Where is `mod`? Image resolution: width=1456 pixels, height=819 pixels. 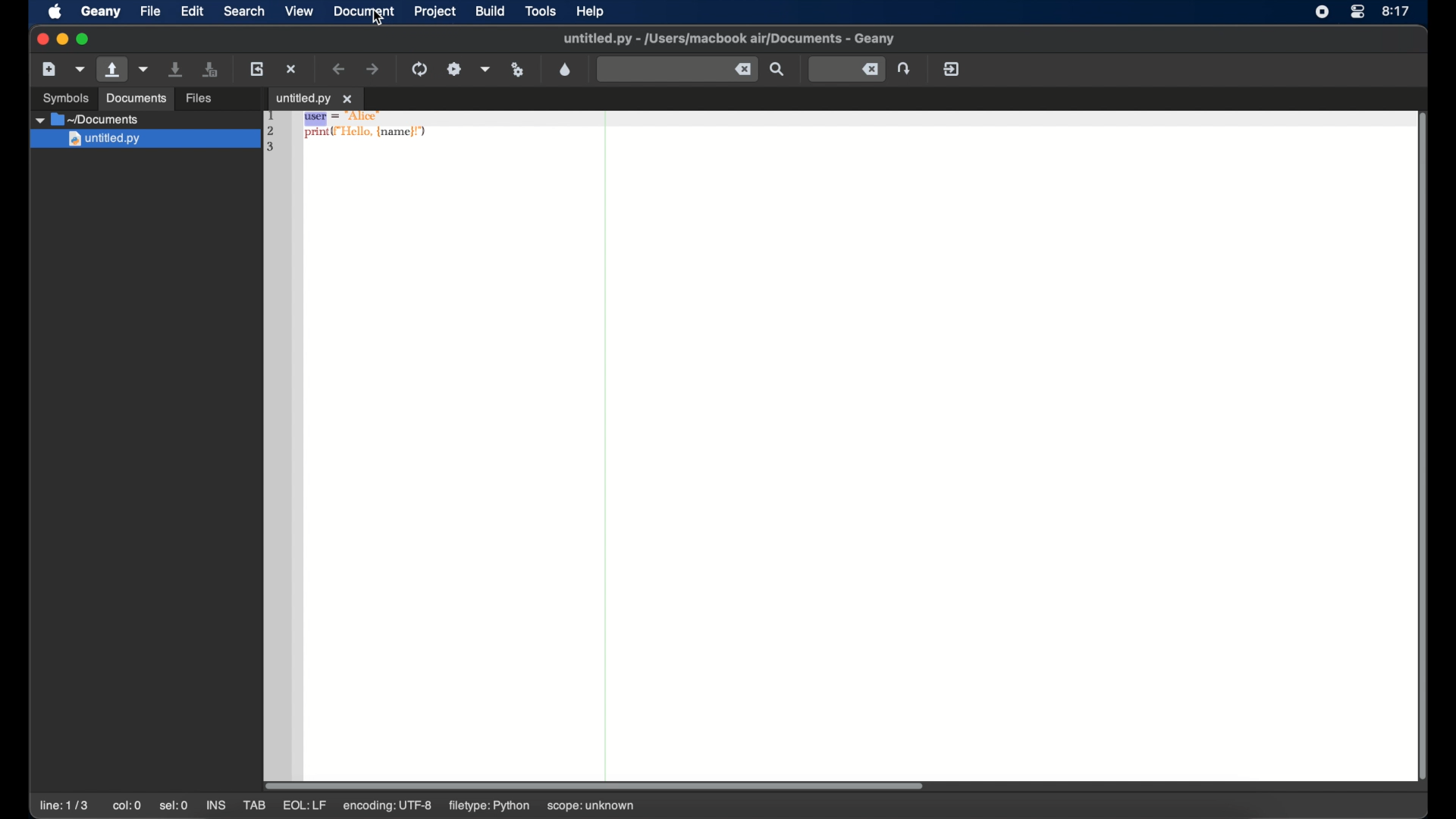 mod is located at coordinates (303, 806).